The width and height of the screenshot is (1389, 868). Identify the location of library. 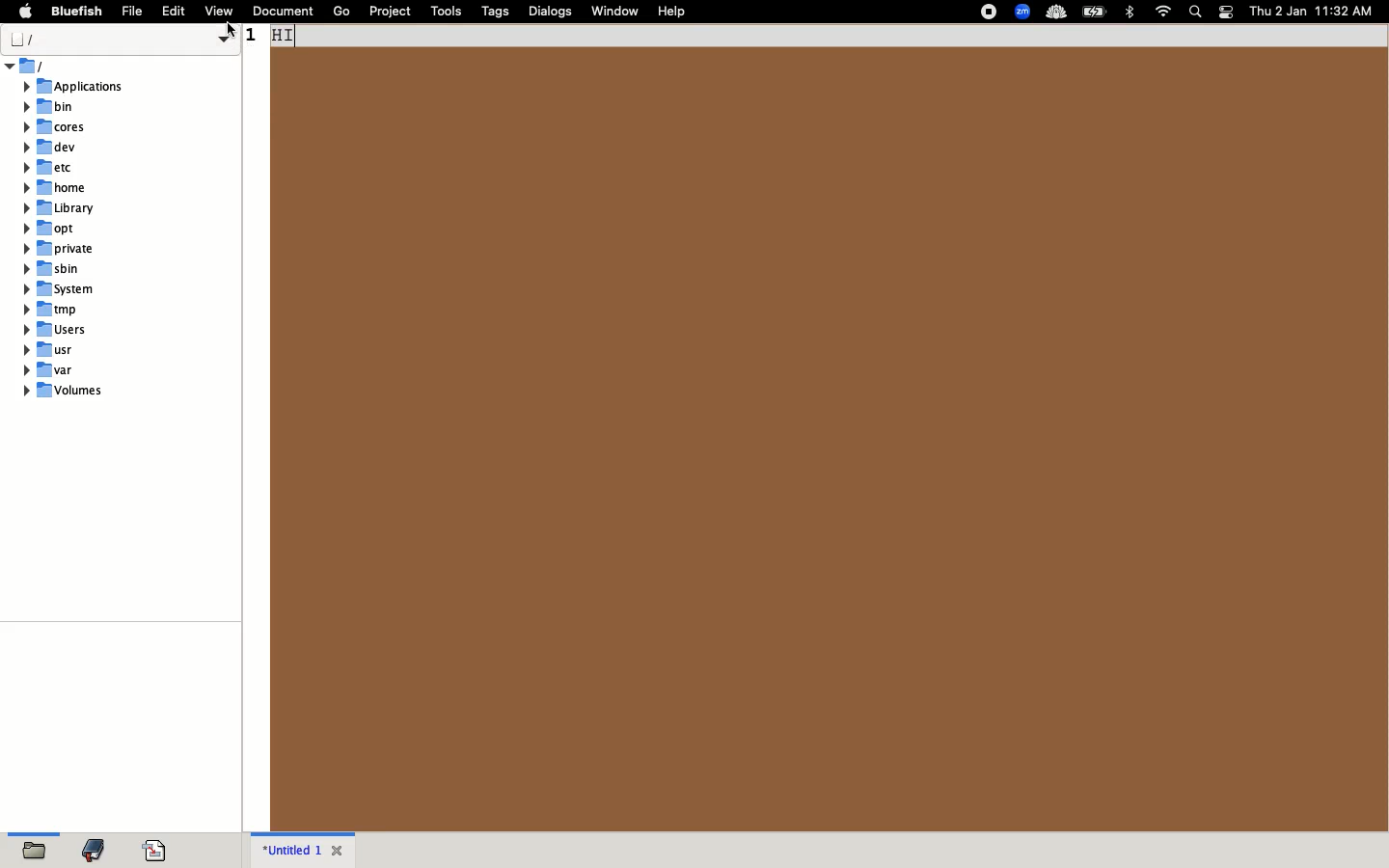
(60, 208).